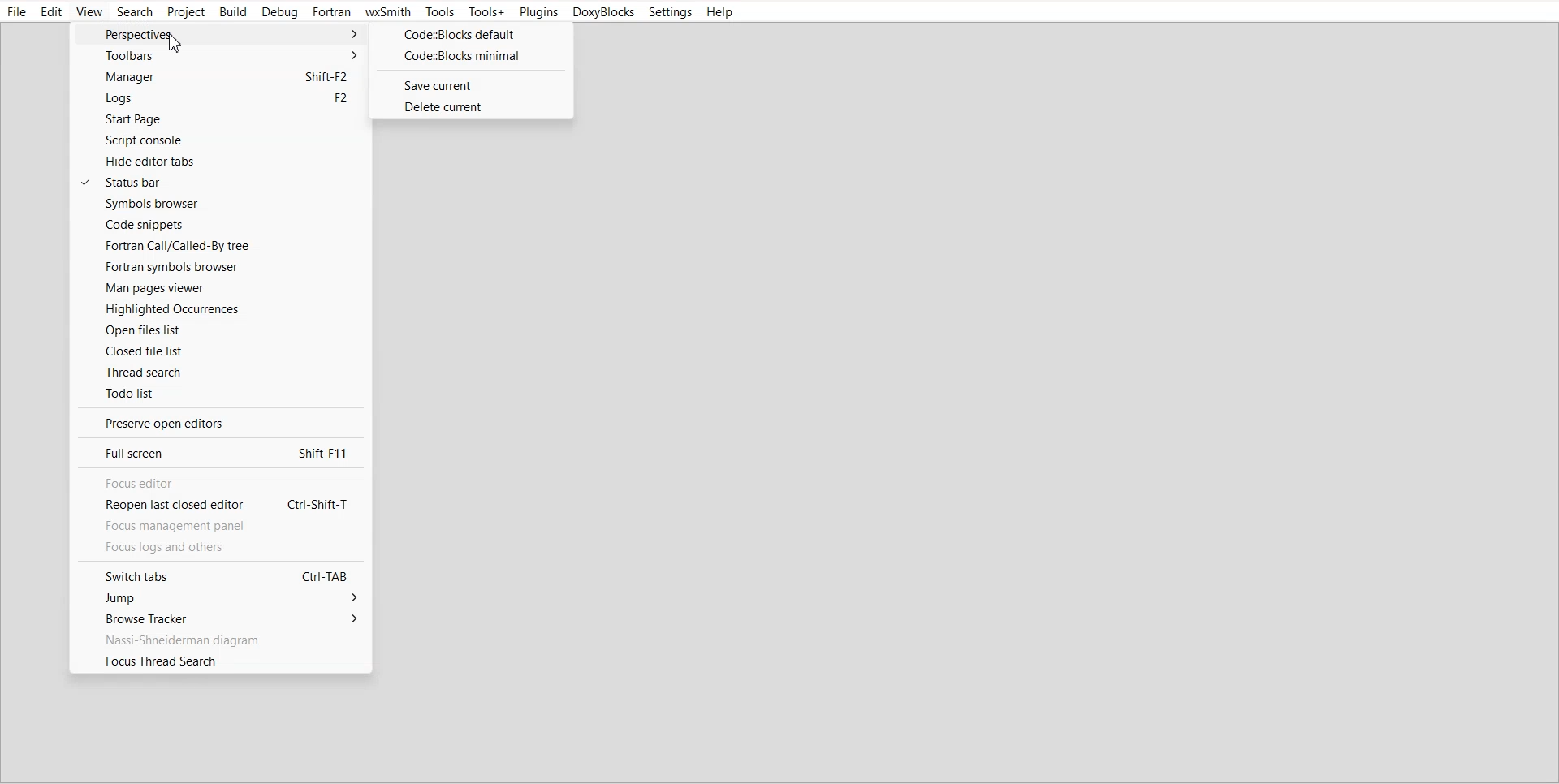 This screenshot has width=1559, height=784. Describe the element at coordinates (438, 12) in the screenshot. I see `Tools` at that location.